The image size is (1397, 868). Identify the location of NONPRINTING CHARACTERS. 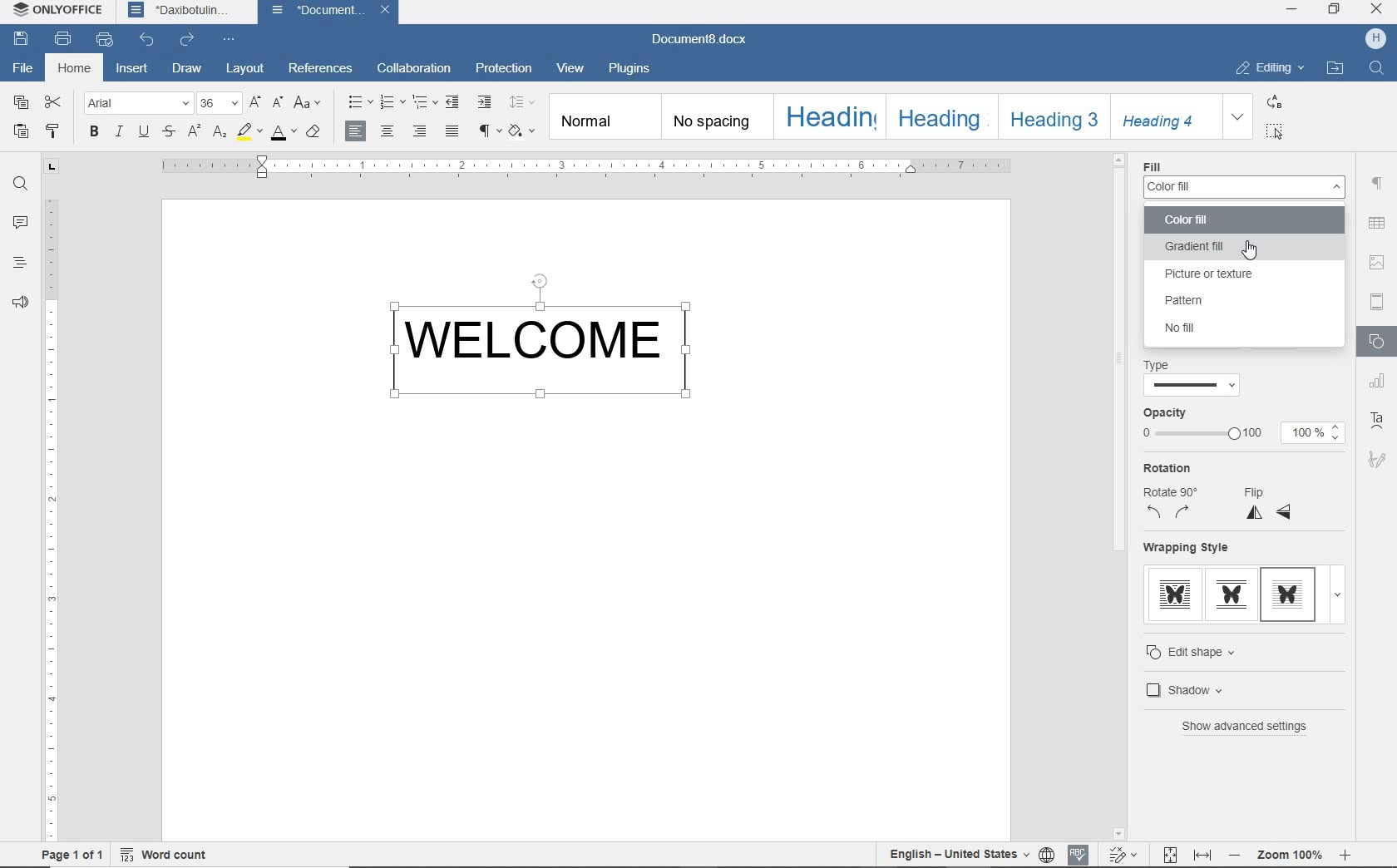
(487, 131).